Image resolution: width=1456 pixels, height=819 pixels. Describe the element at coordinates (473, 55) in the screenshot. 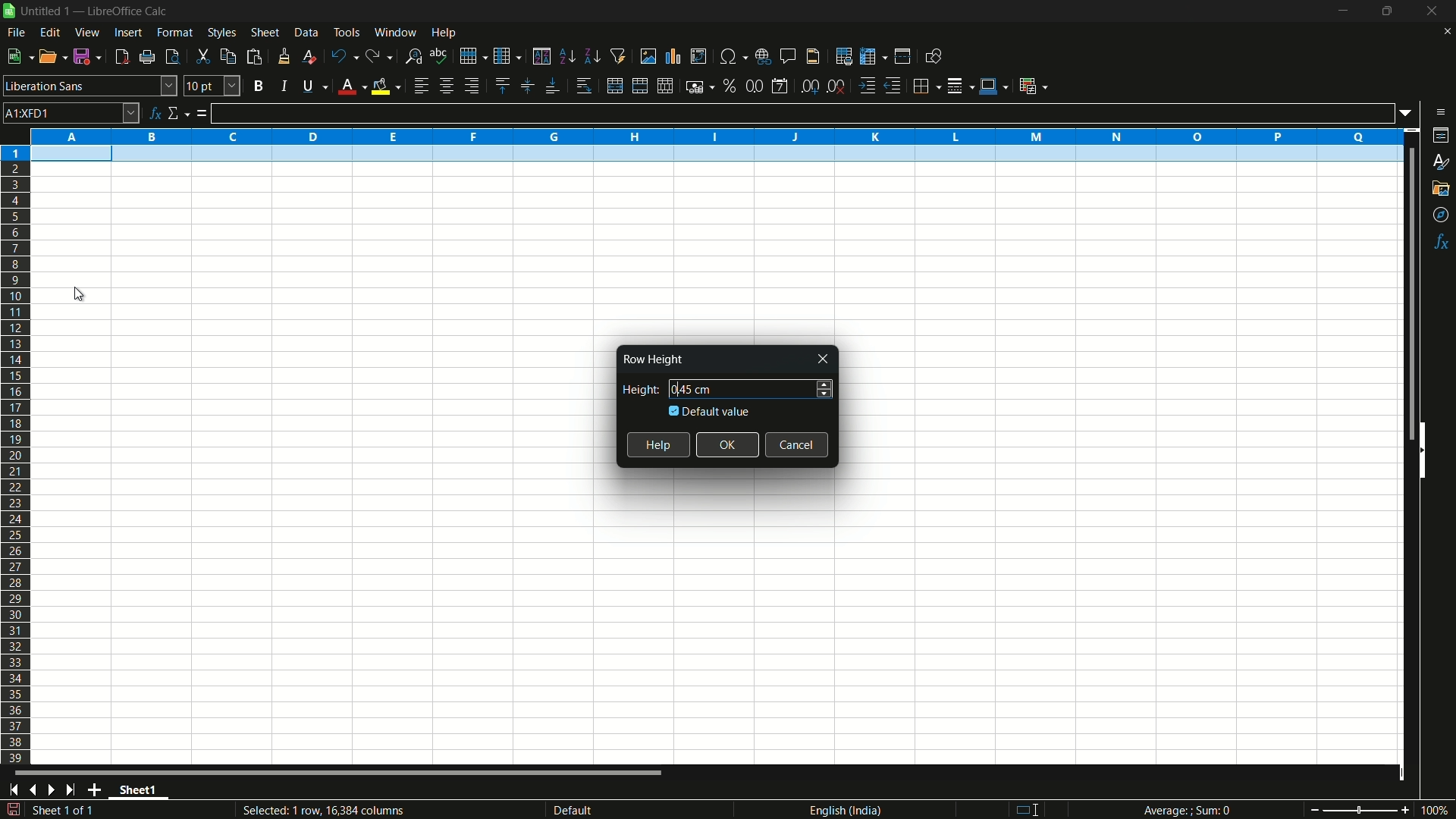

I see `row` at that location.